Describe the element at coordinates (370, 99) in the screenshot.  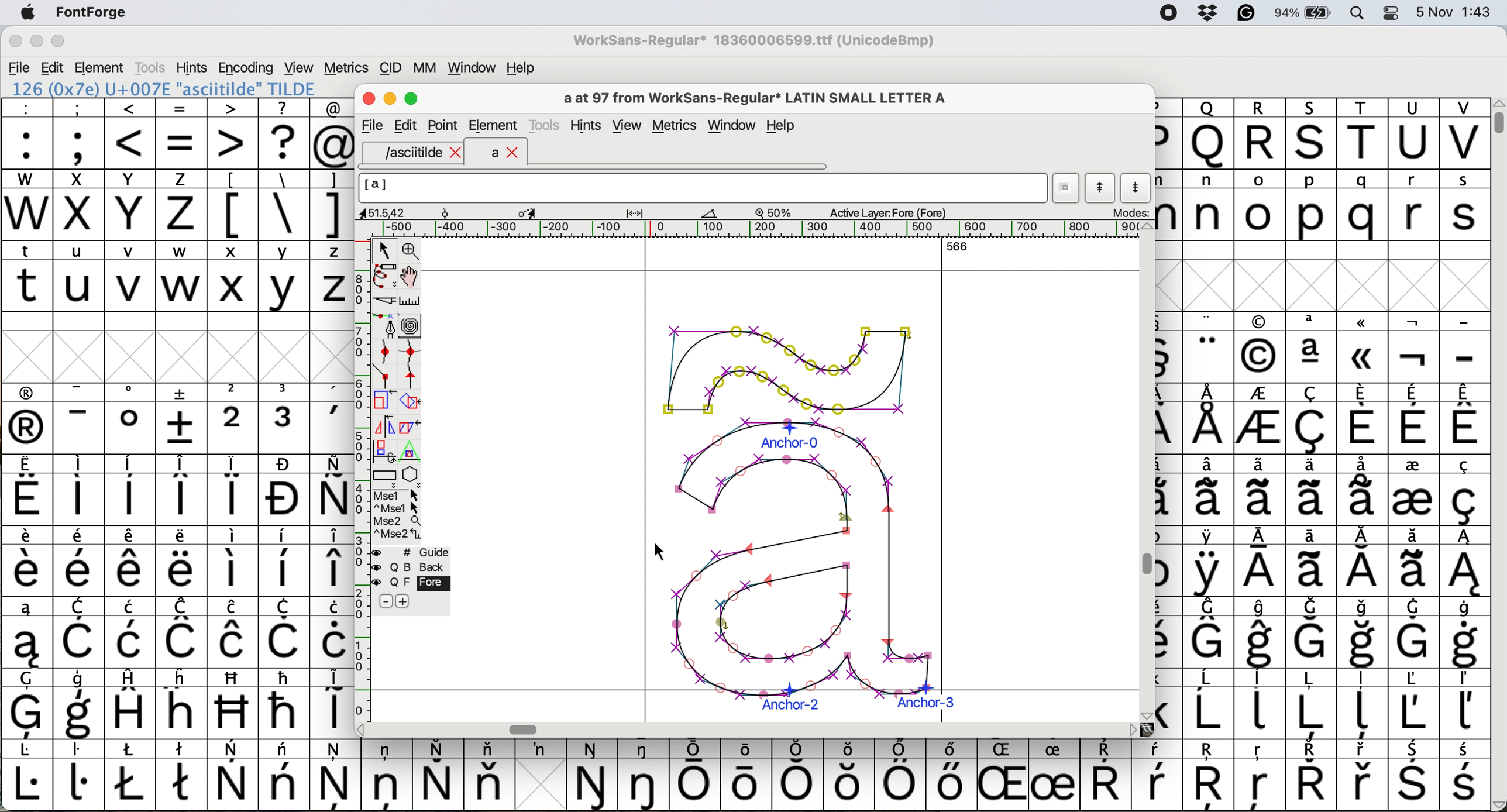
I see `Close` at that location.